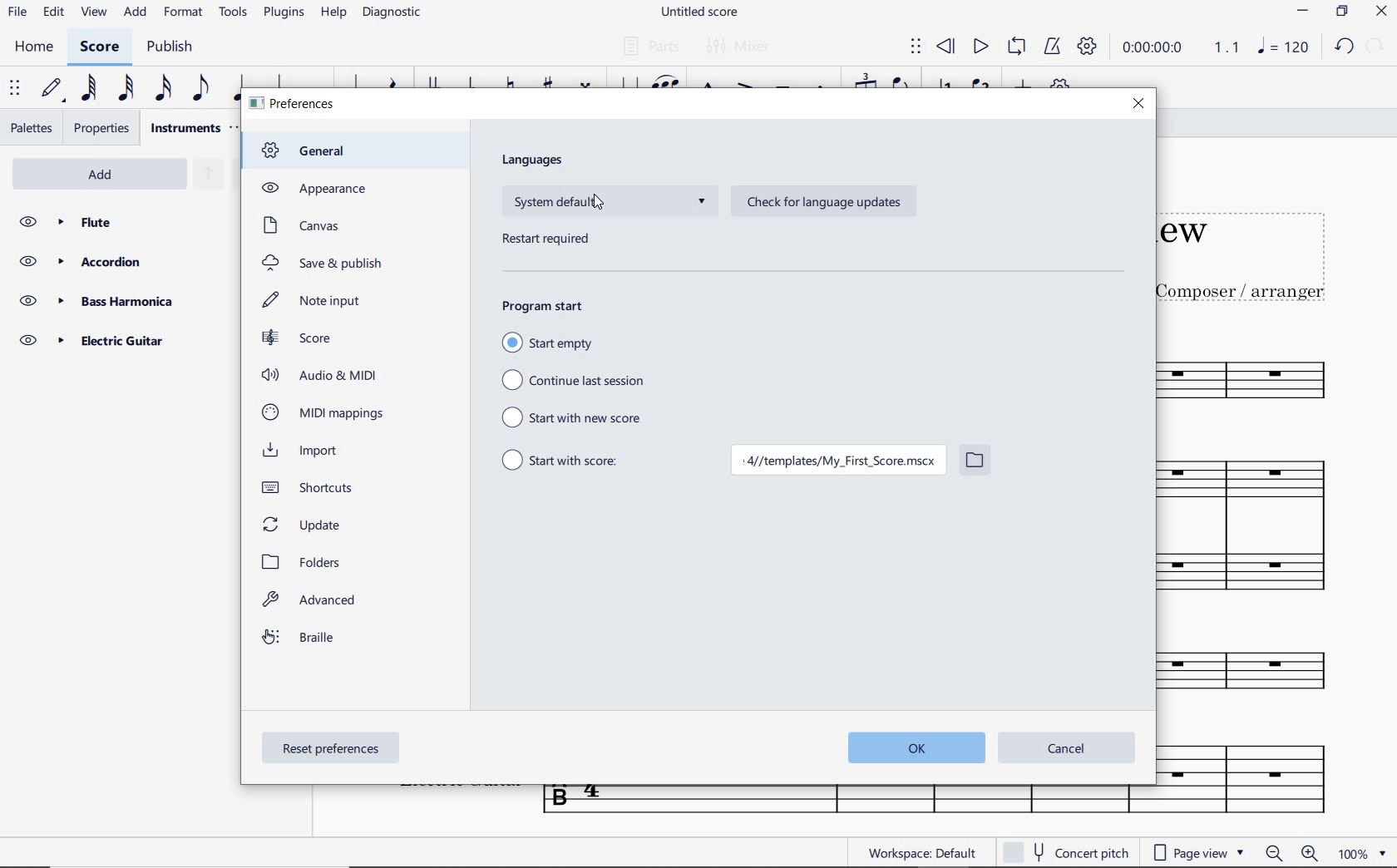 The height and width of the screenshot is (868, 1397). I want to click on save & publish, so click(324, 264).